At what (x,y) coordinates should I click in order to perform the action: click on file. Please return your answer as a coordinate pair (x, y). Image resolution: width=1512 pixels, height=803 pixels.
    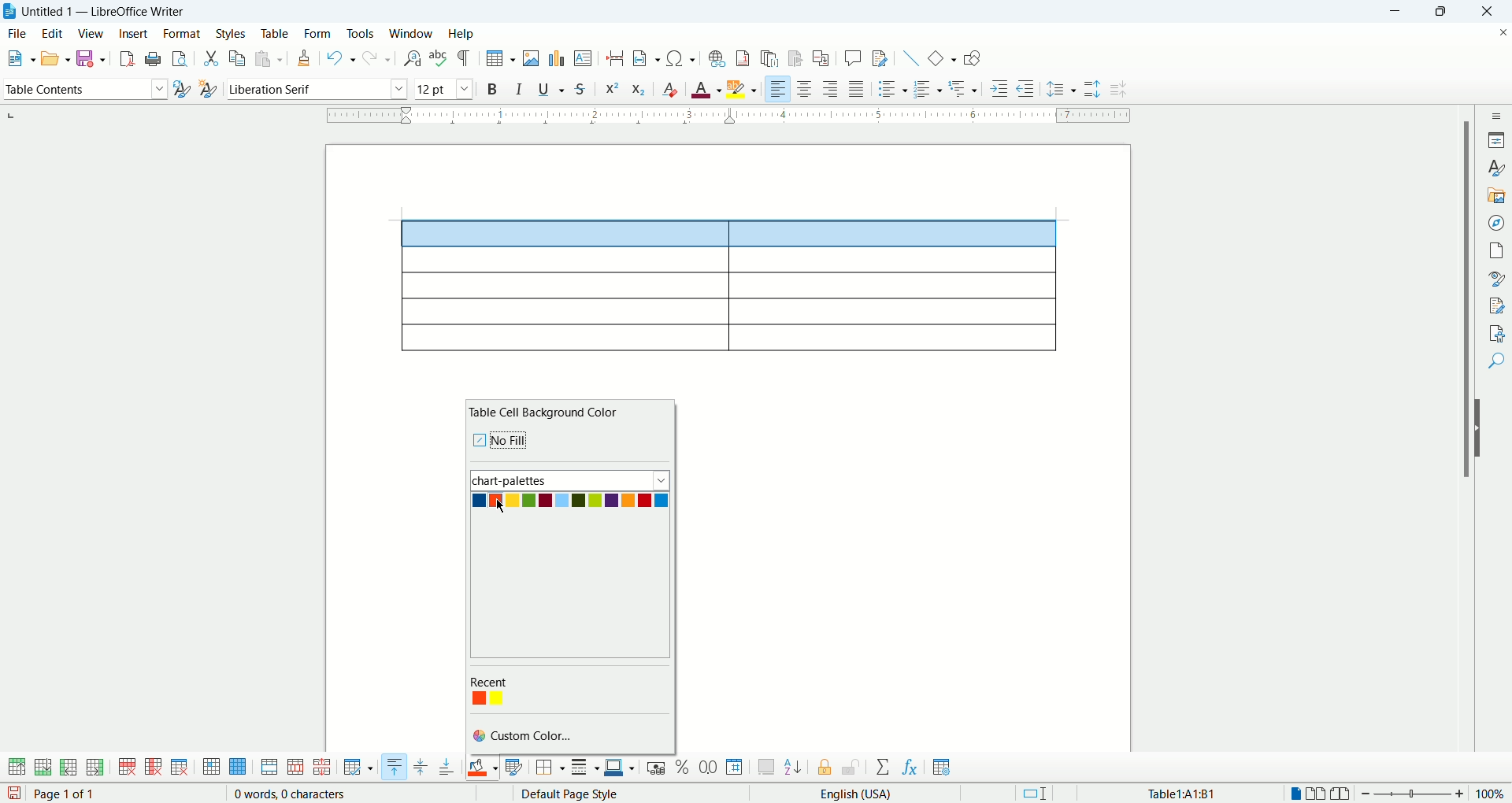
    Looking at the image, I should click on (17, 34).